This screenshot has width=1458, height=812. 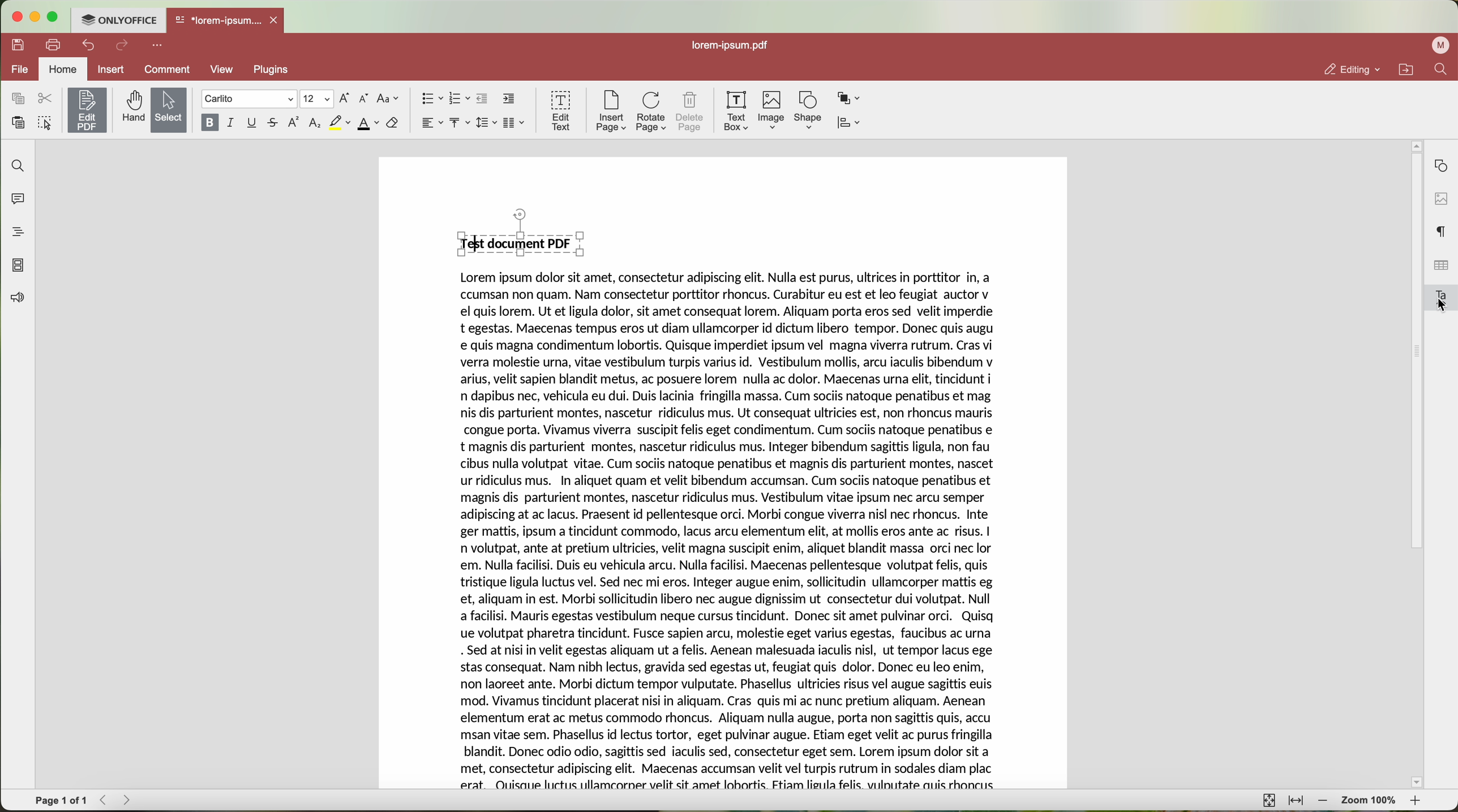 What do you see at coordinates (158, 46) in the screenshot?
I see `customize quick access toolbar` at bounding box center [158, 46].